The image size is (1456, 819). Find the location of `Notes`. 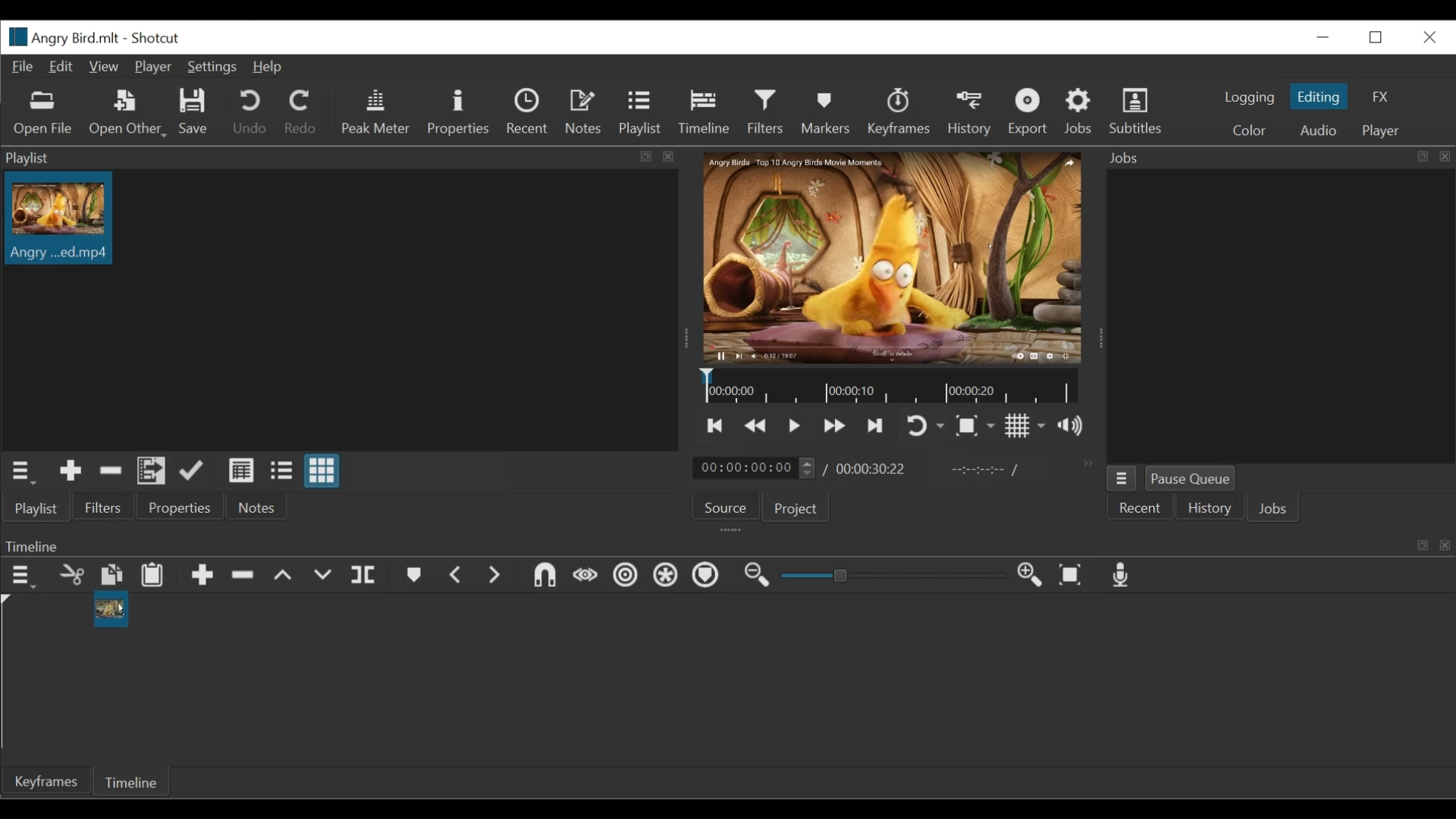

Notes is located at coordinates (585, 112).